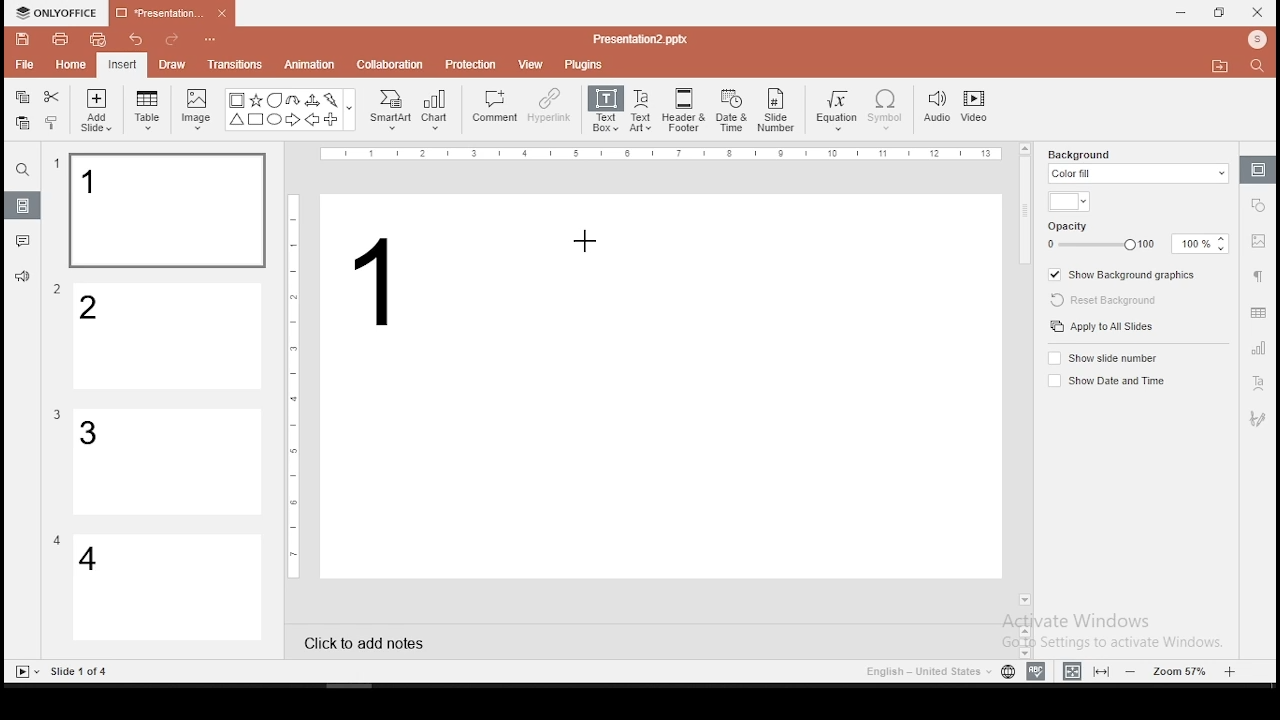 Image resolution: width=1280 pixels, height=720 pixels. Describe the element at coordinates (370, 641) in the screenshot. I see `click to add notes` at that location.